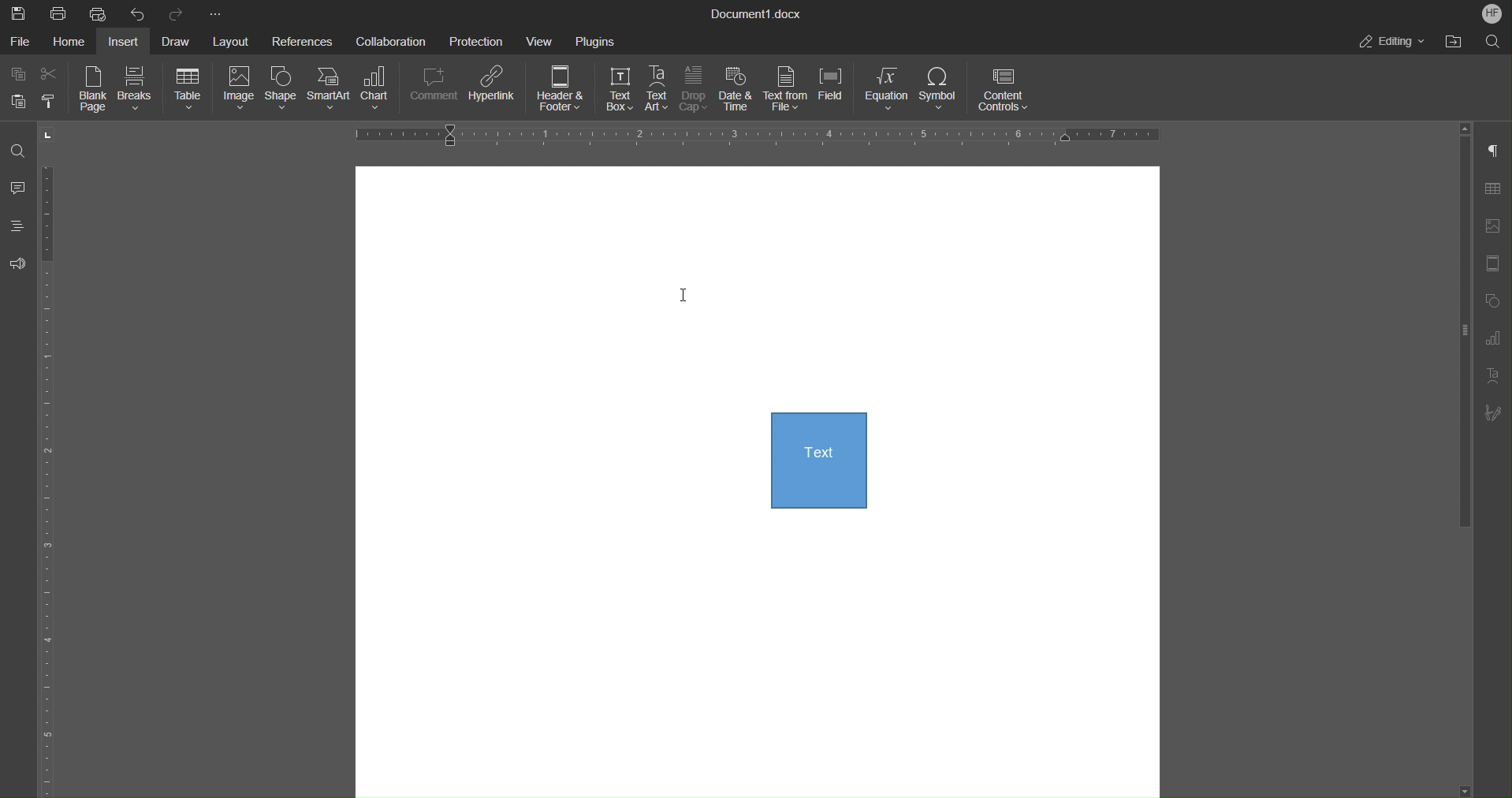 The width and height of the screenshot is (1512, 798). What do you see at coordinates (836, 91) in the screenshot?
I see `Field` at bounding box center [836, 91].